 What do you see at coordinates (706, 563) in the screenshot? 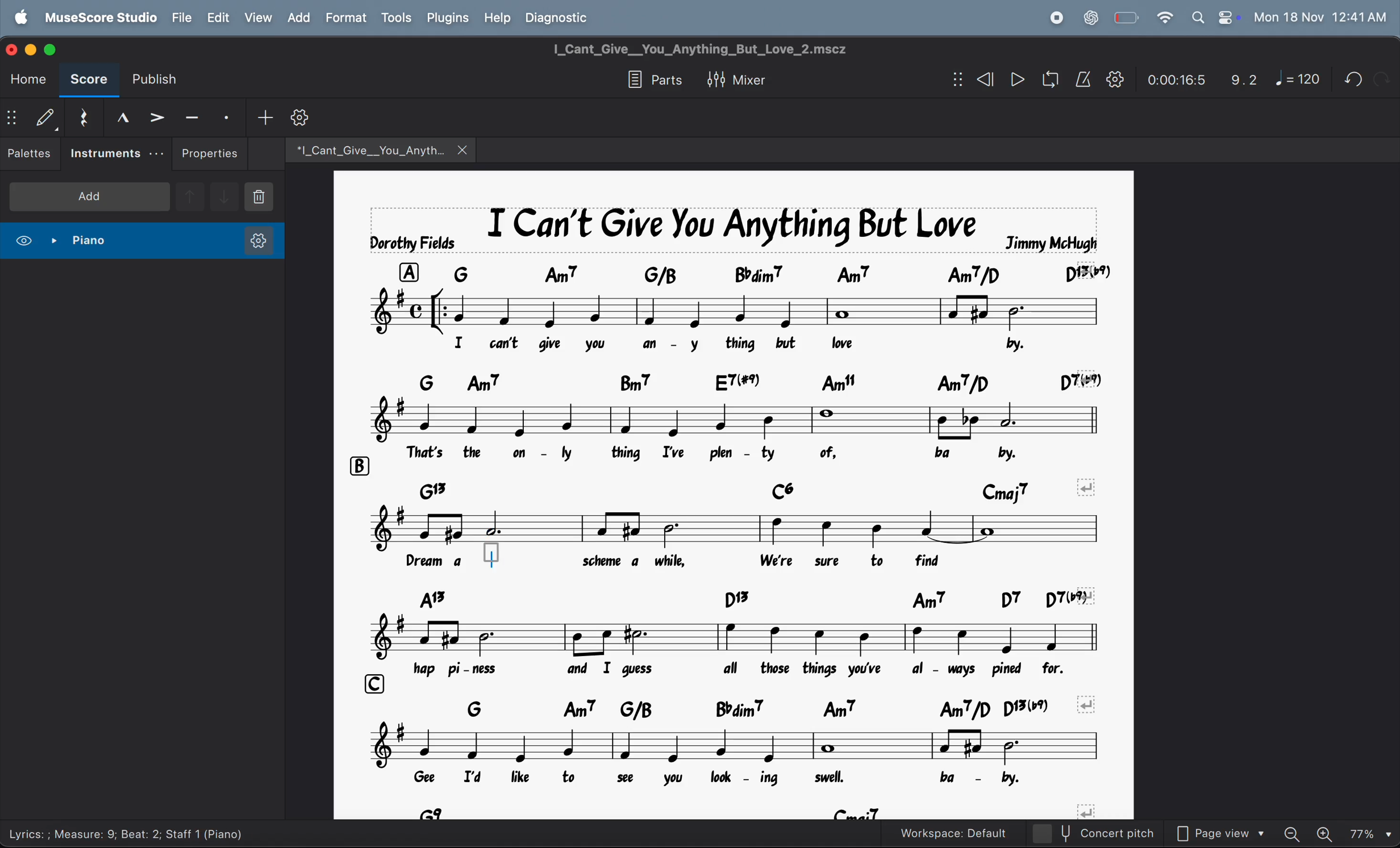
I see `lyrics` at bounding box center [706, 563].